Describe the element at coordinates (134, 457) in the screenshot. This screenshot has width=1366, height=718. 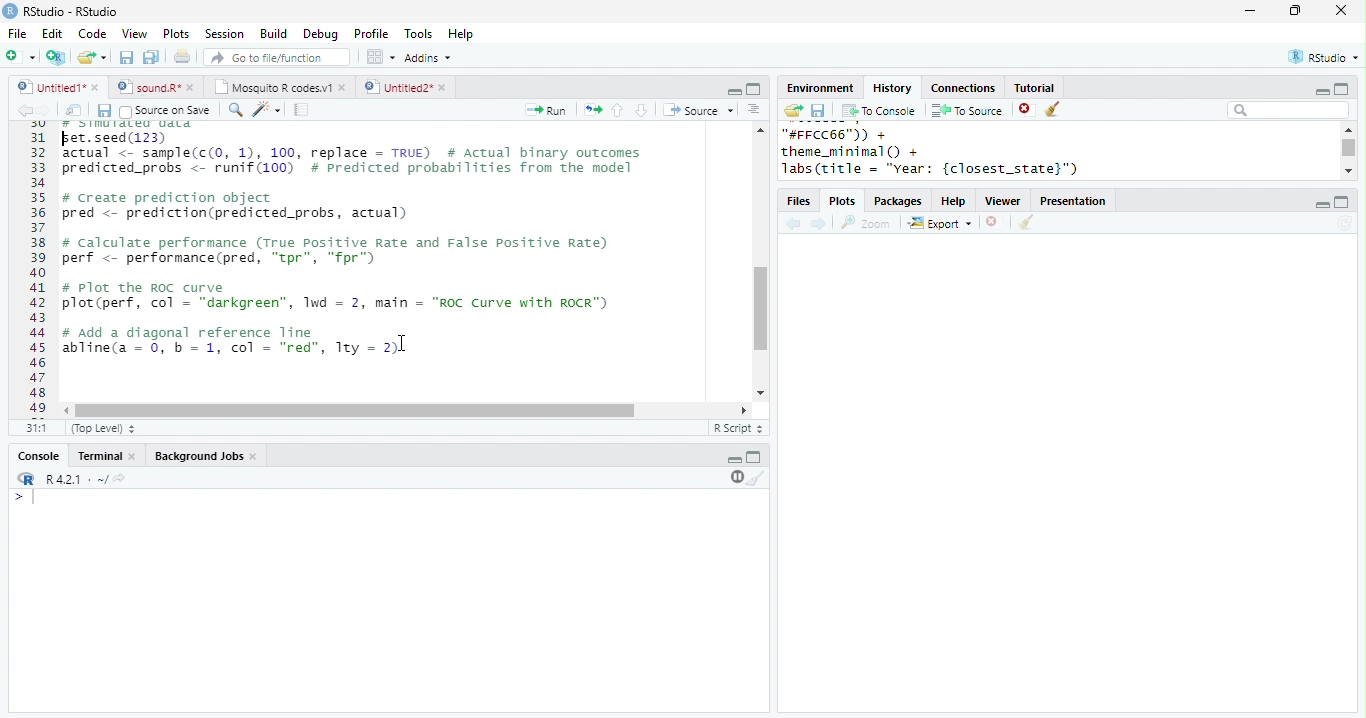
I see `close` at that location.